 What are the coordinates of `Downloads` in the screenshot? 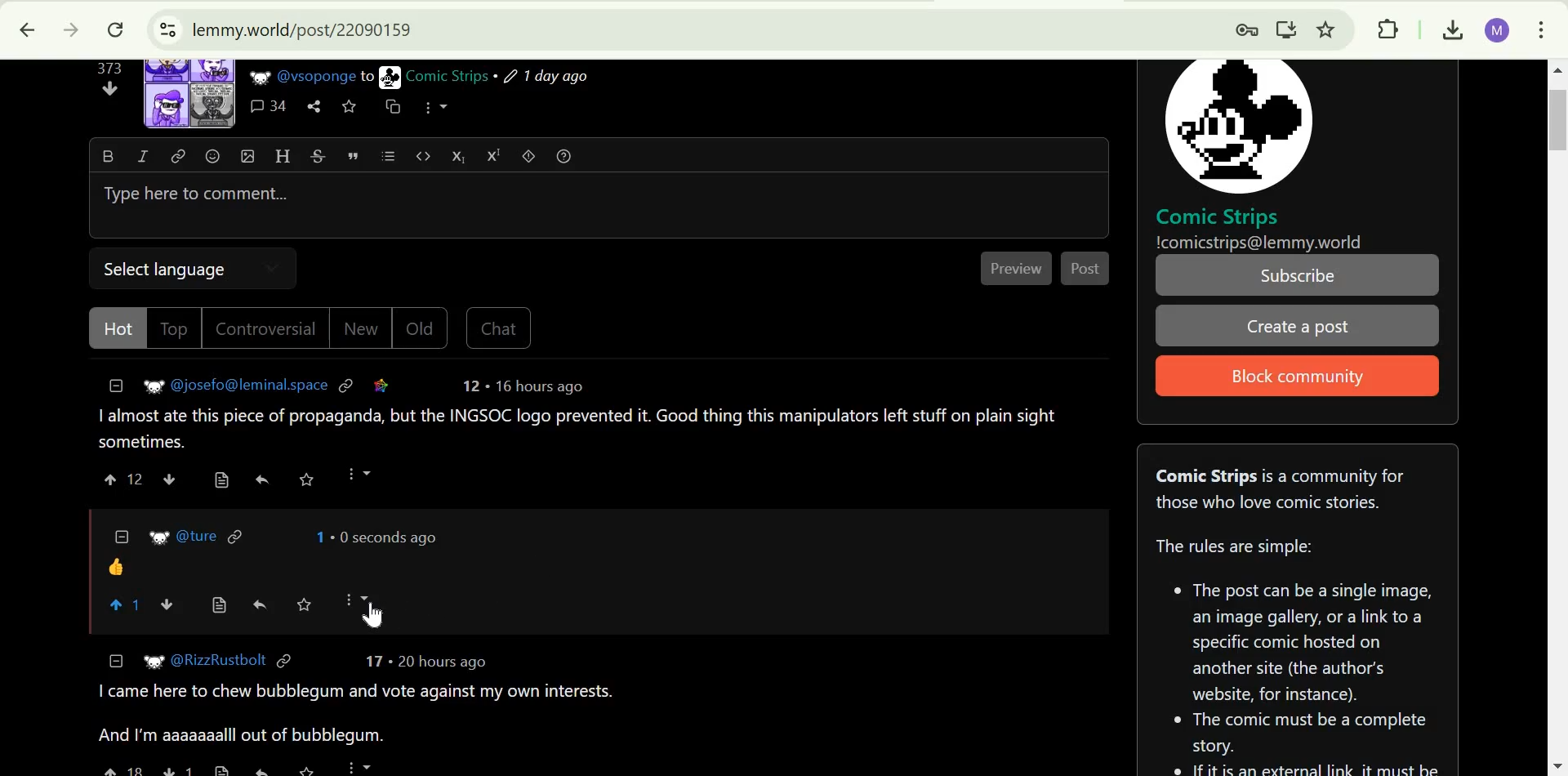 It's located at (1449, 29).